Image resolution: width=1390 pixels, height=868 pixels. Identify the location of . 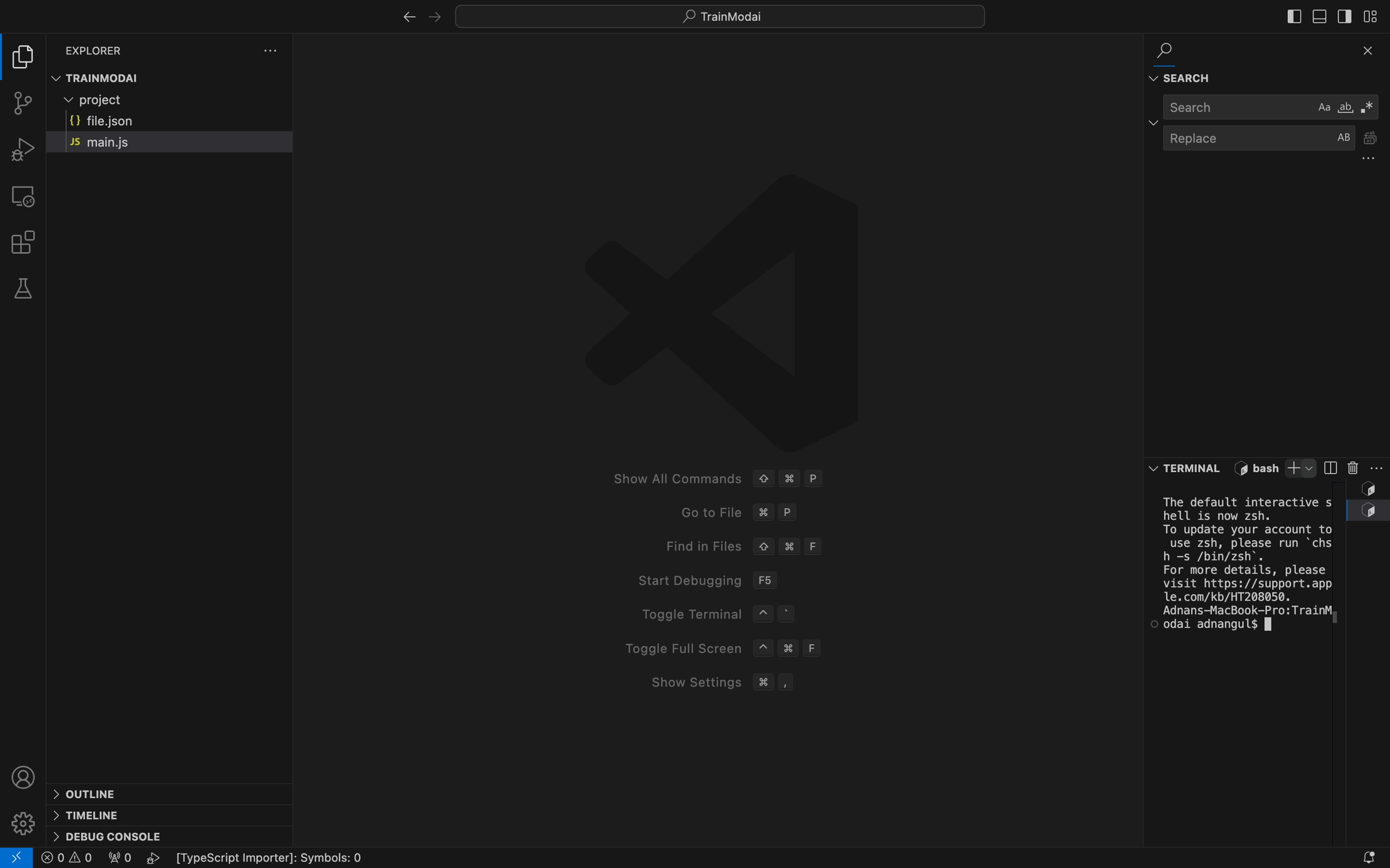
(1368, 511).